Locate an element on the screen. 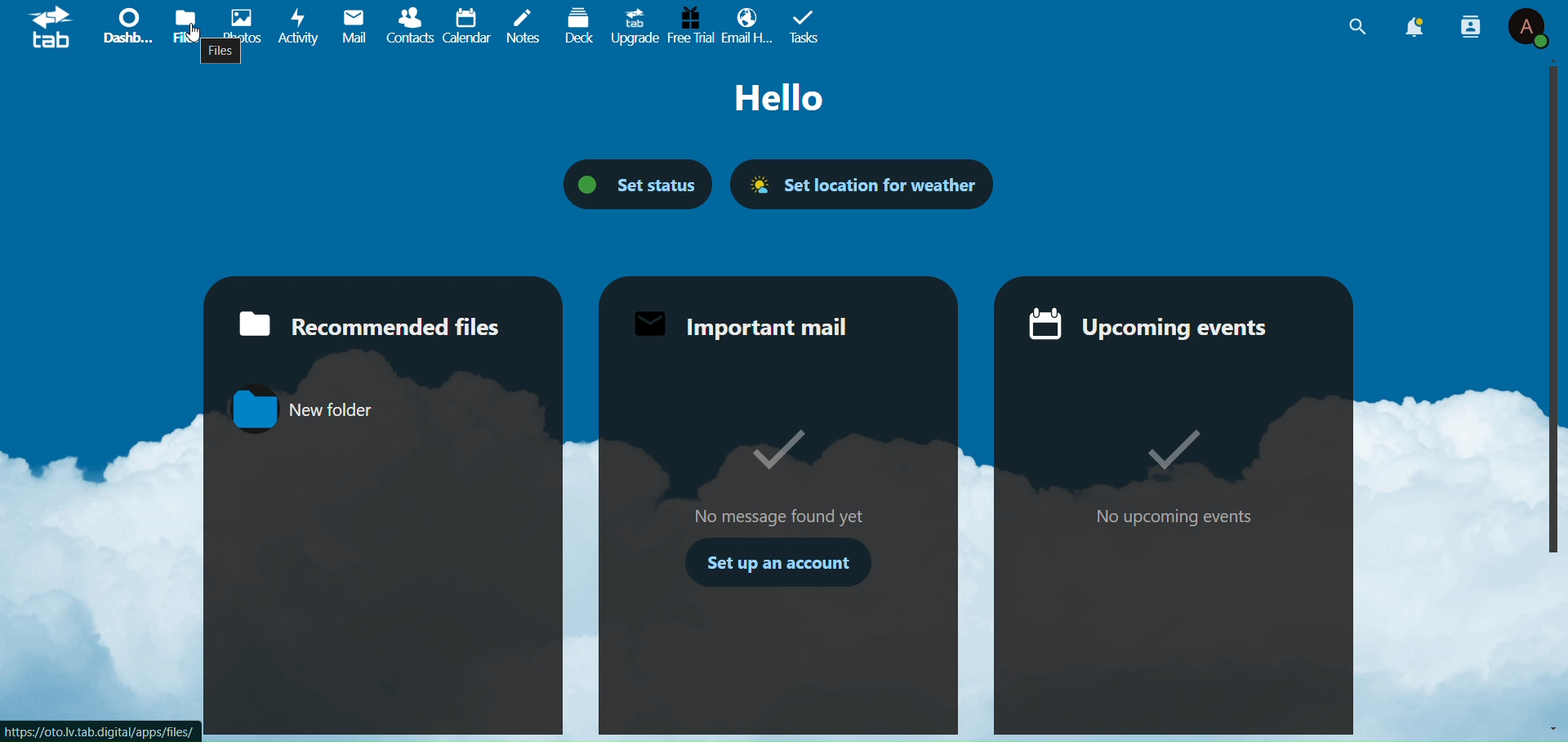  New Folder is located at coordinates (301, 410).